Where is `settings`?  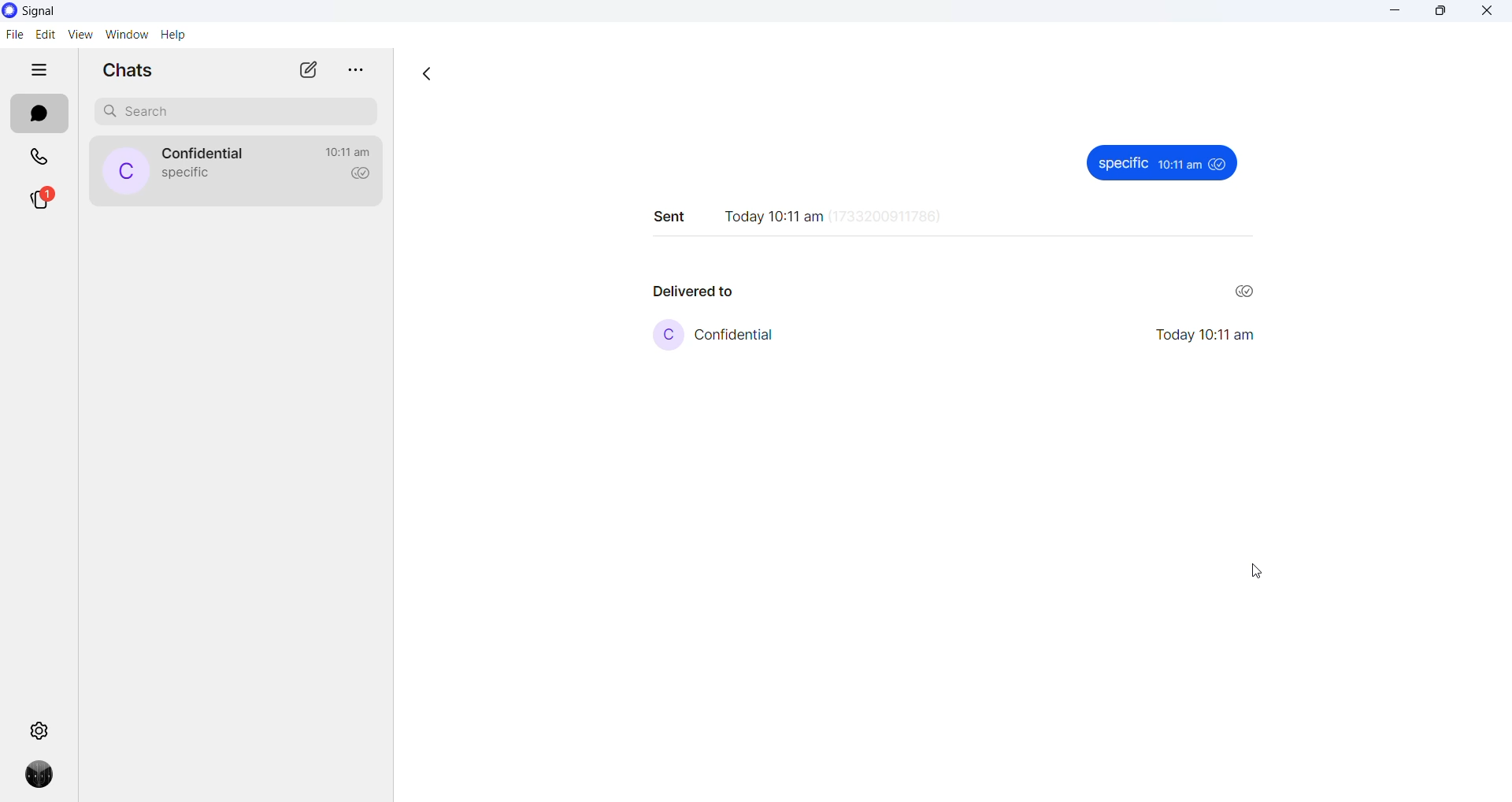 settings is located at coordinates (40, 731).